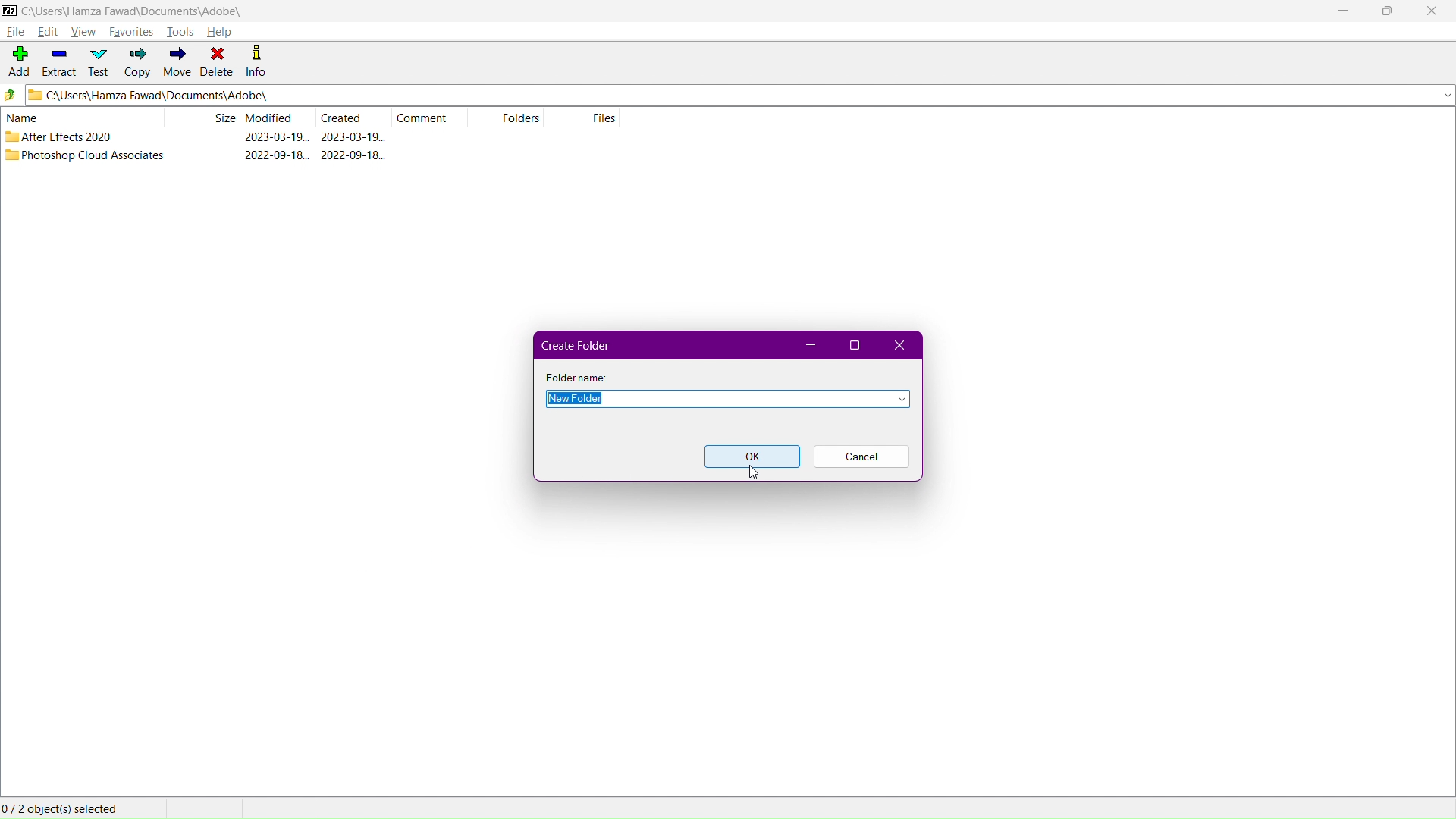  I want to click on Maximize, so click(1386, 11).